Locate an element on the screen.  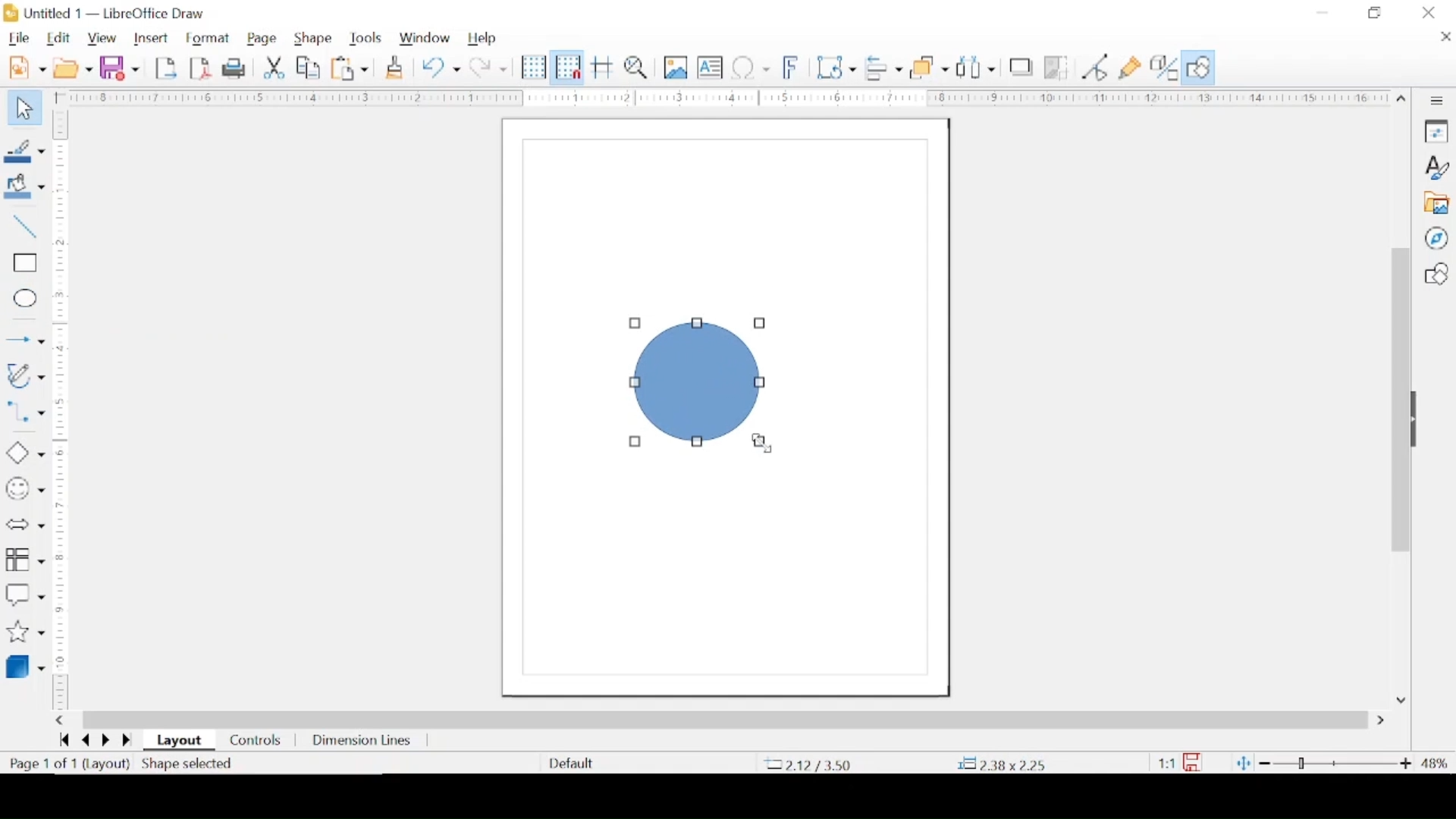
flowchart is located at coordinates (24, 560).